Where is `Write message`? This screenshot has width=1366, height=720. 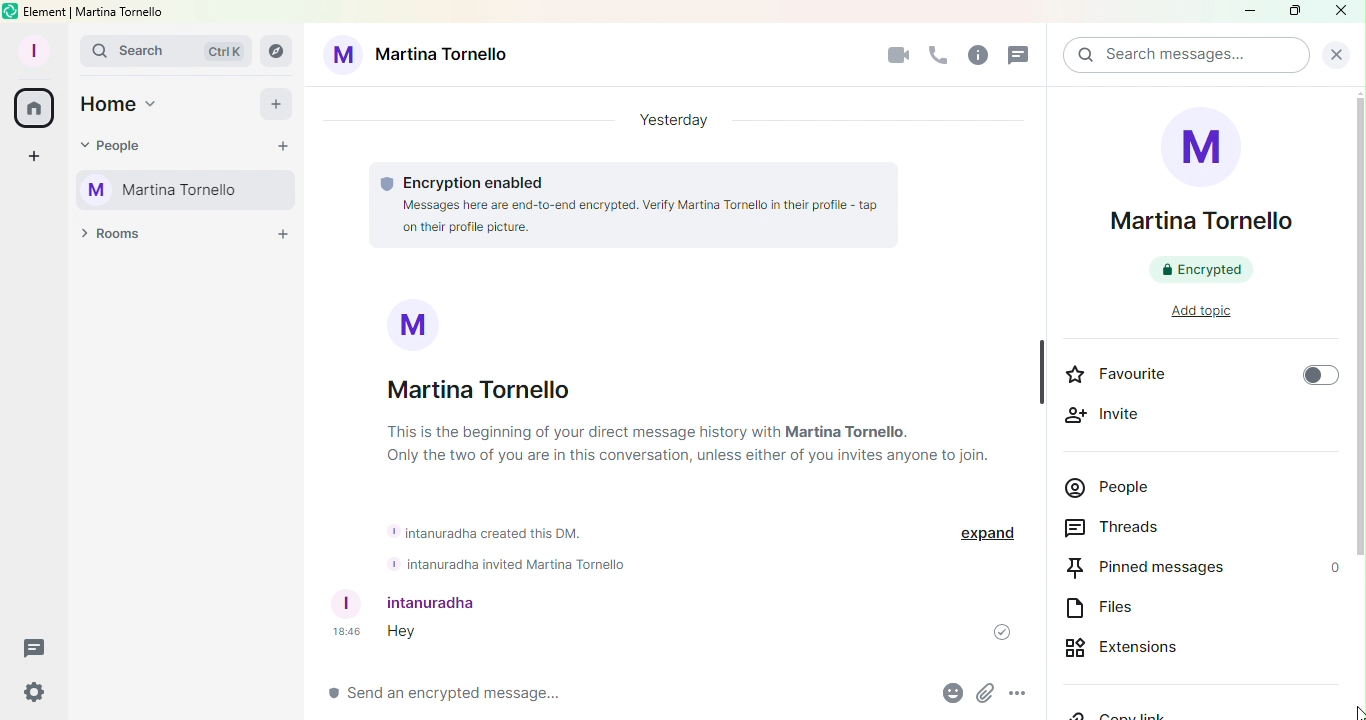 Write message is located at coordinates (629, 694).